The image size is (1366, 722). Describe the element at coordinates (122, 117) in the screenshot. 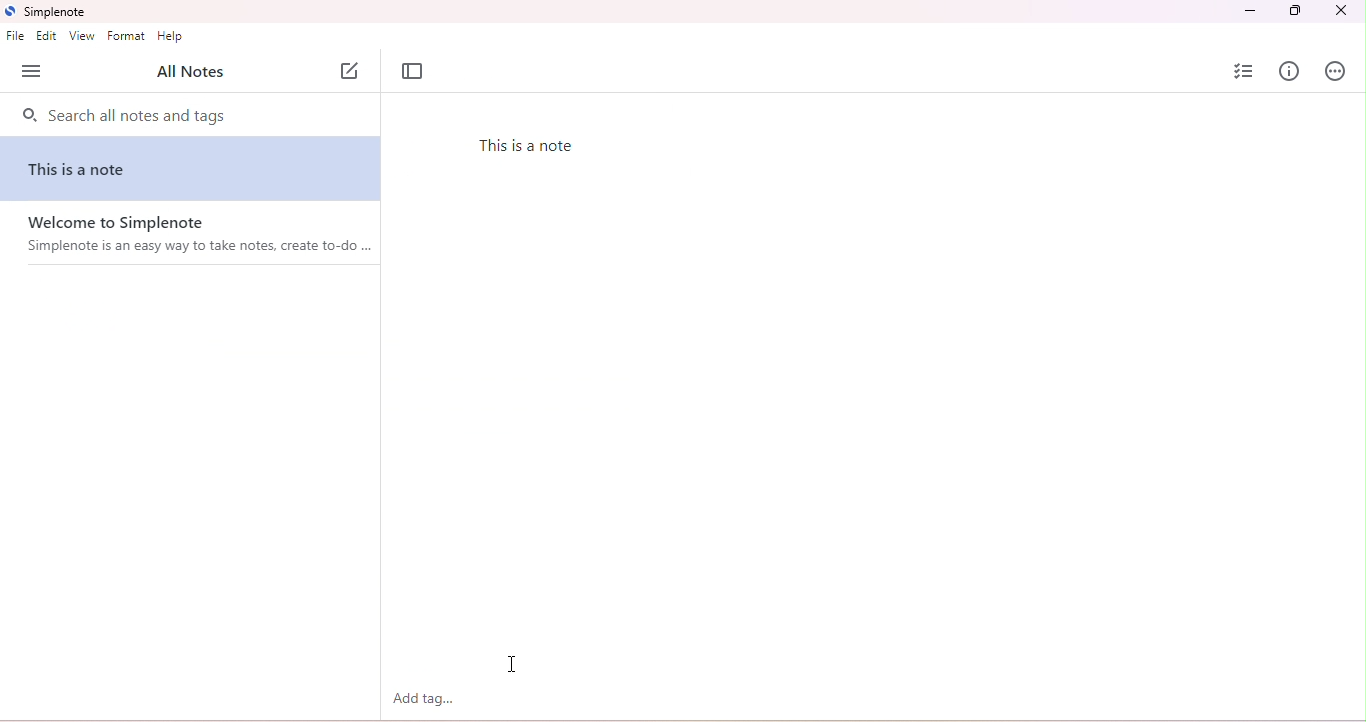

I see `search all note and tags` at that location.